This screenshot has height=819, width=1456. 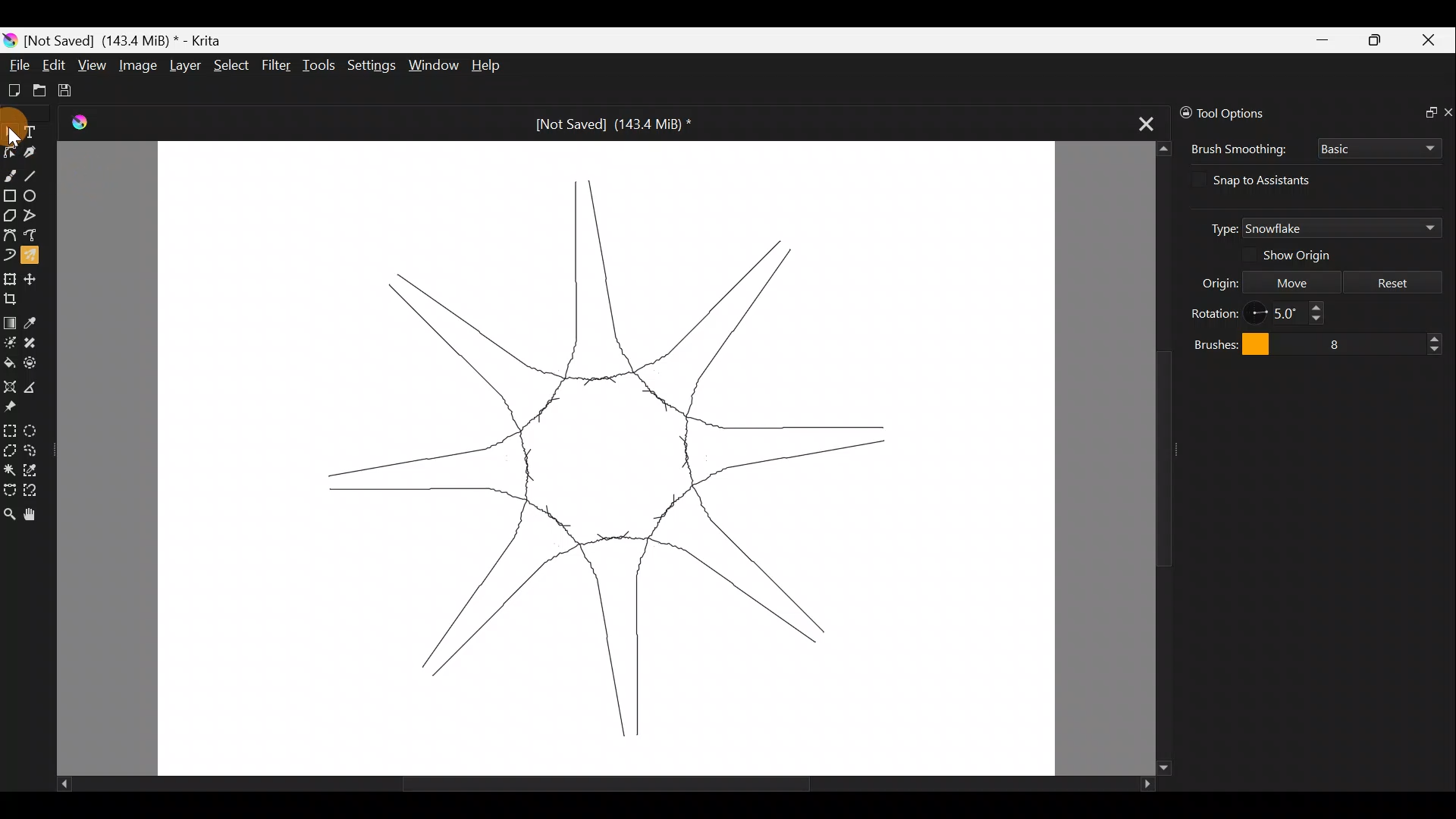 I want to click on Window, so click(x=432, y=66).